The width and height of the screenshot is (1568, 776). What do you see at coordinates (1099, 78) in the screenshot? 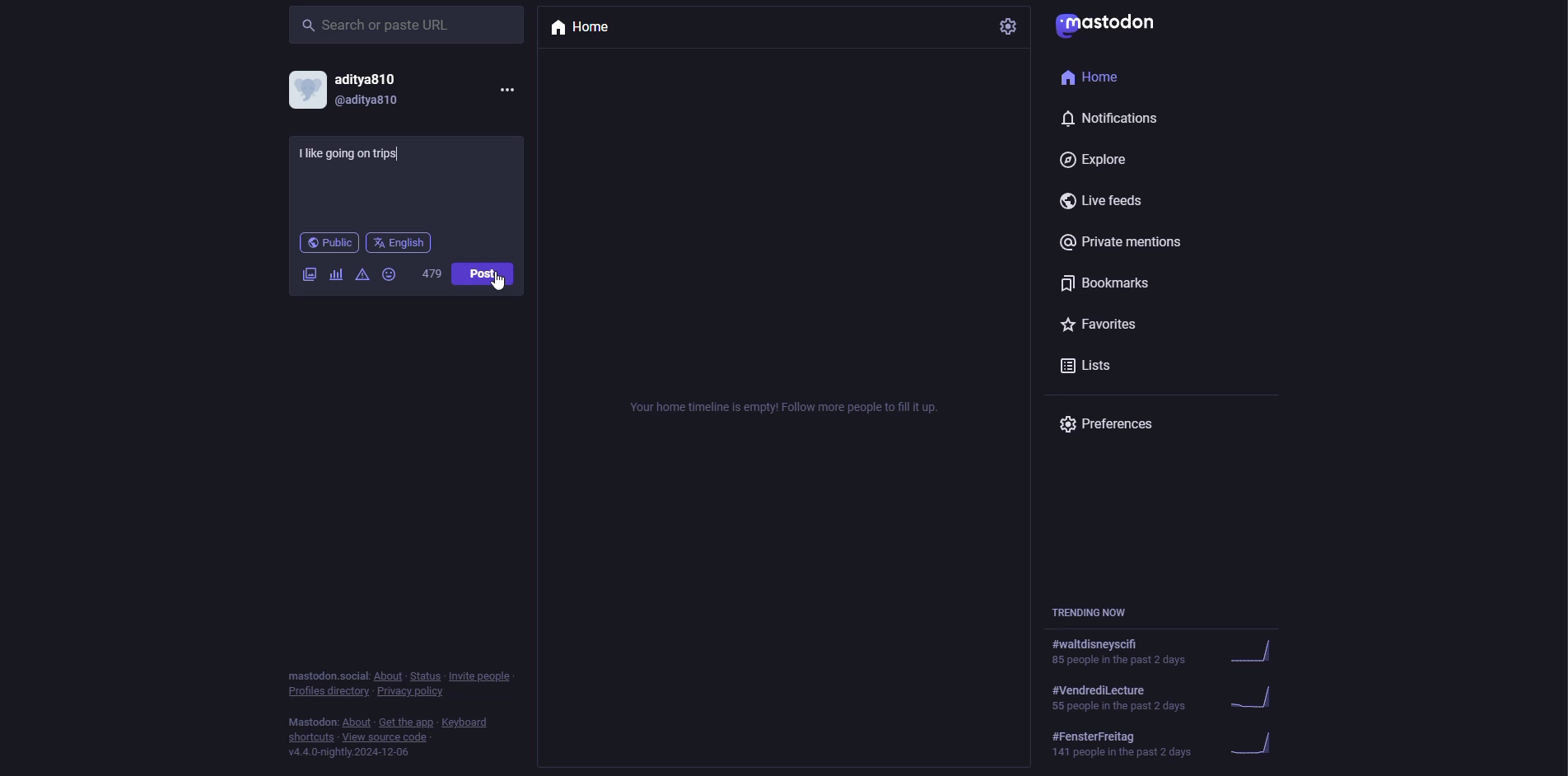
I see `home` at bounding box center [1099, 78].